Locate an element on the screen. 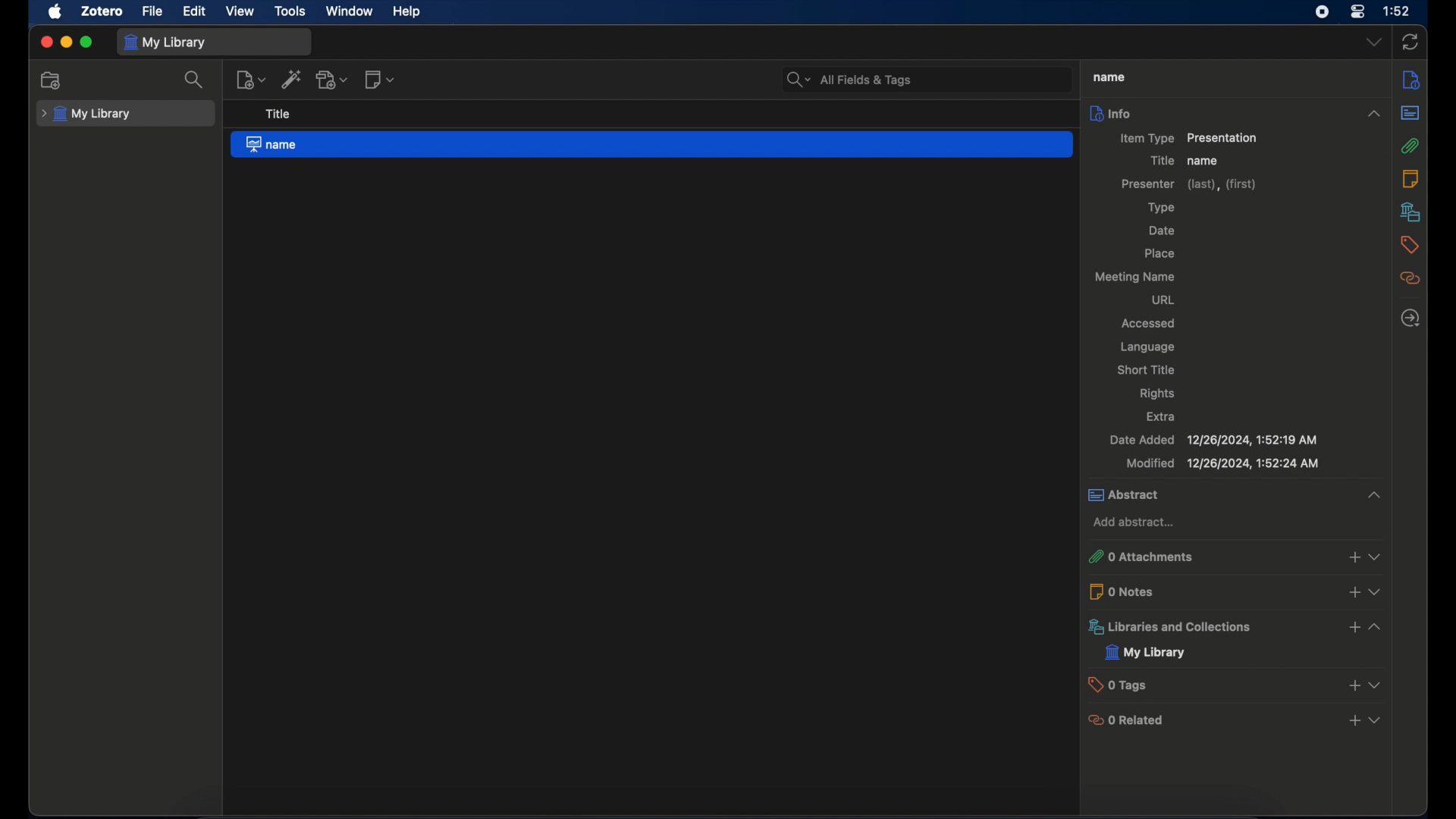 The width and height of the screenshot is (1456, 819). libraries is located at coordinates (1410, 212).